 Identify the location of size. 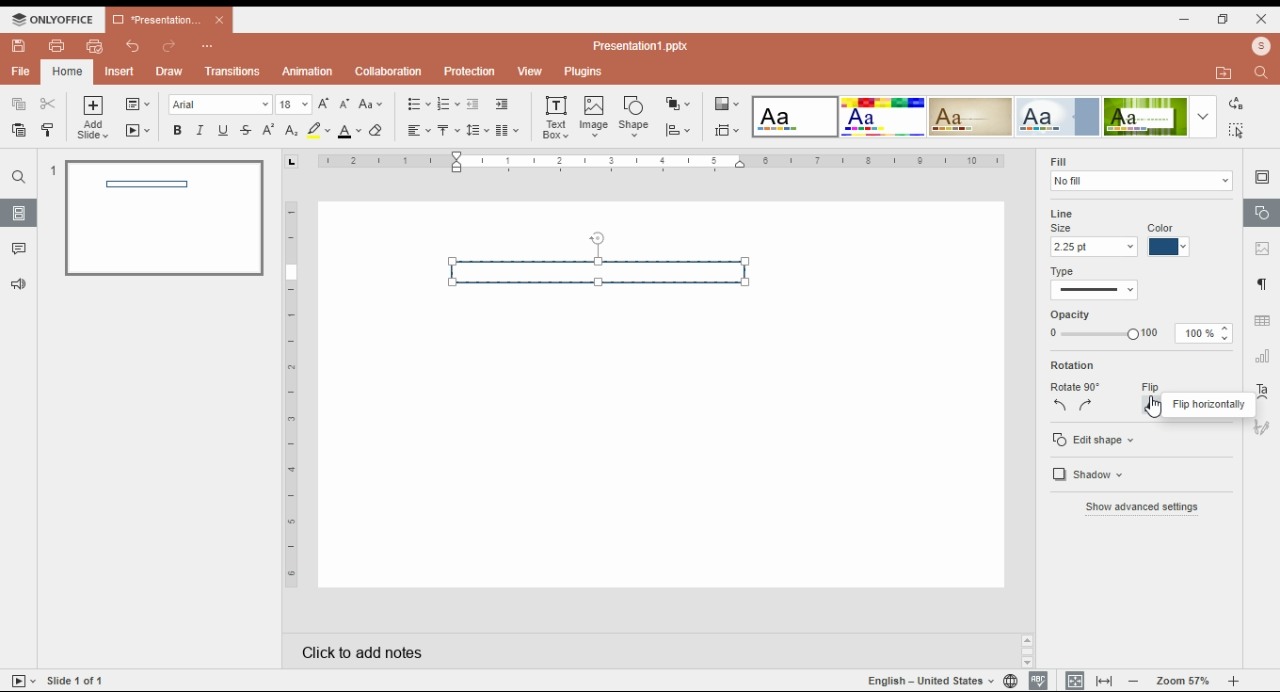
(1063, 228).